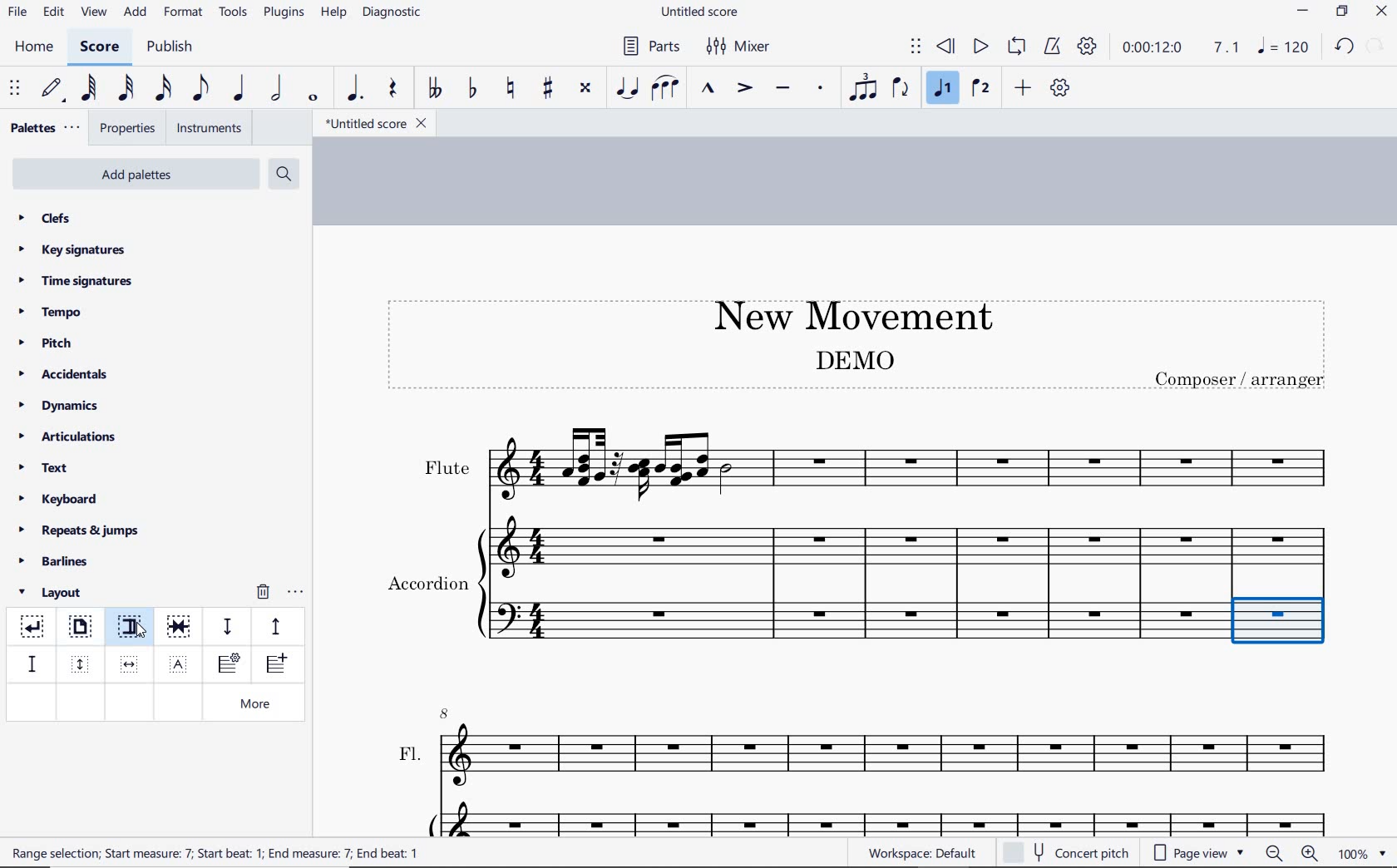 The image size is (1397, 868). What do you see at coordinates (59, 499) in the screenshot?
I see `keyboard` at bounding box center [59, 499].